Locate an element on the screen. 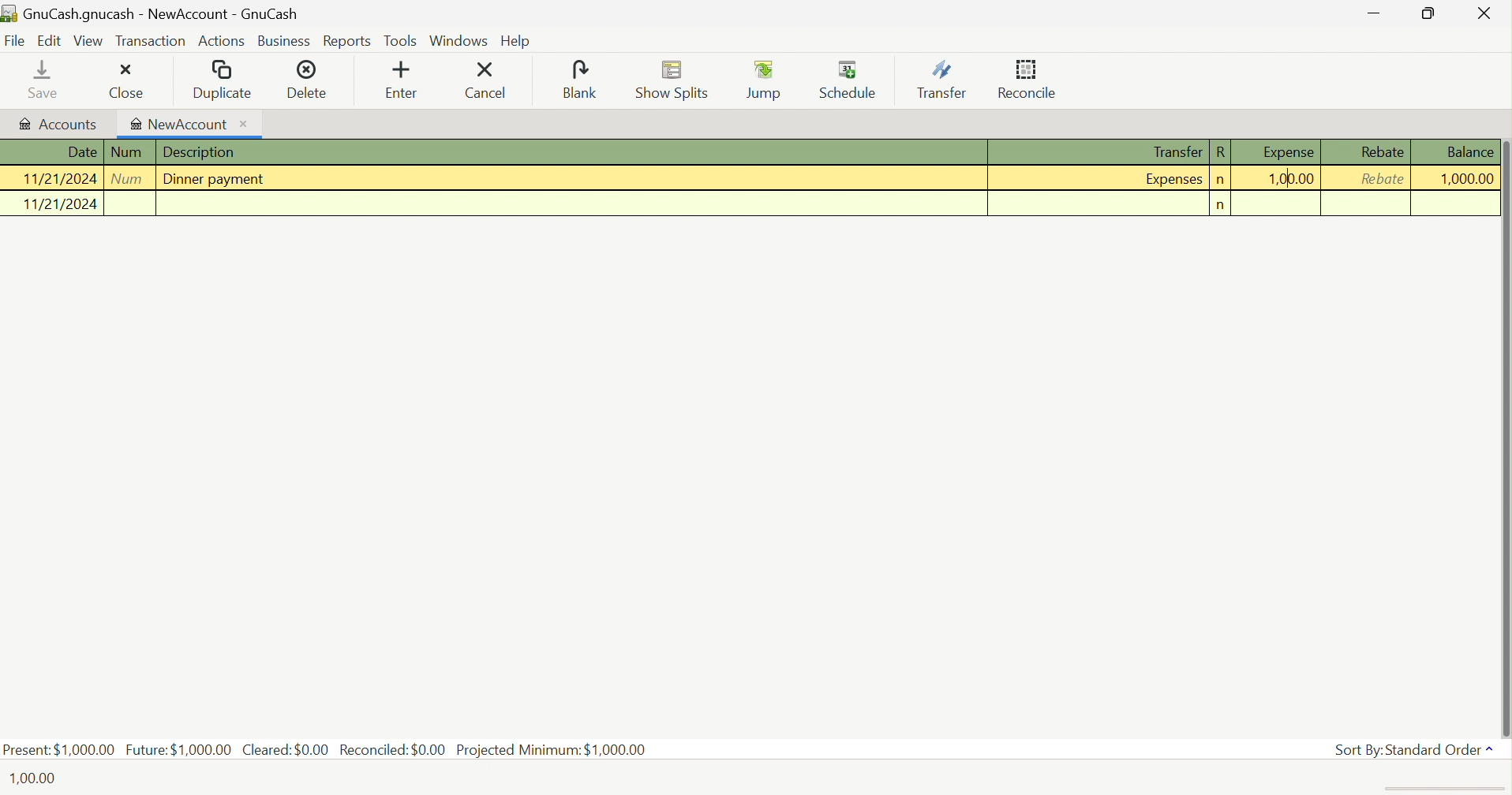 The height and width of the screenshot is (795, 1512). Enter is located at coordinates (403, 80).